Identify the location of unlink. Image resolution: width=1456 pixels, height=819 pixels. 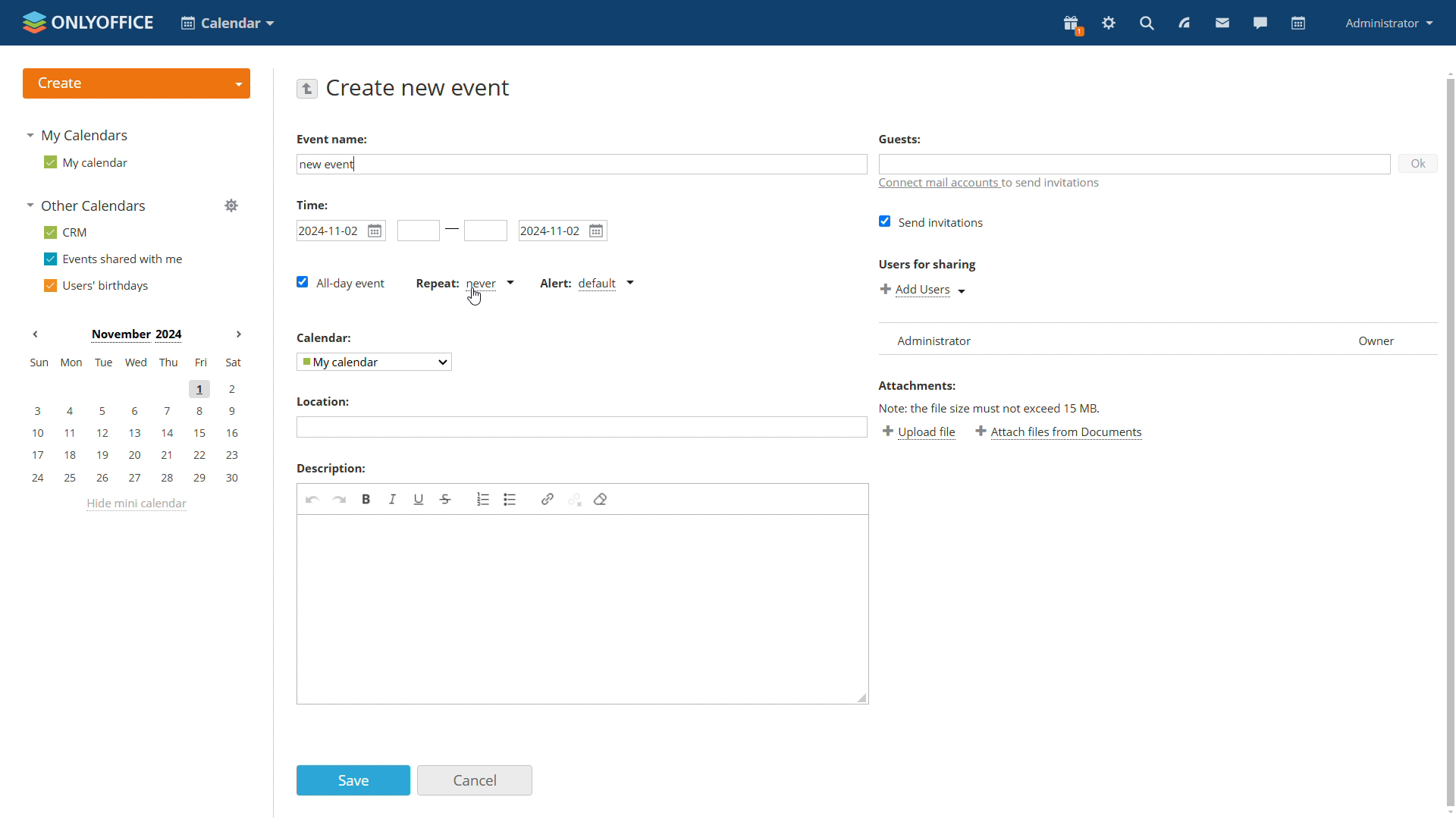
(576, 500).